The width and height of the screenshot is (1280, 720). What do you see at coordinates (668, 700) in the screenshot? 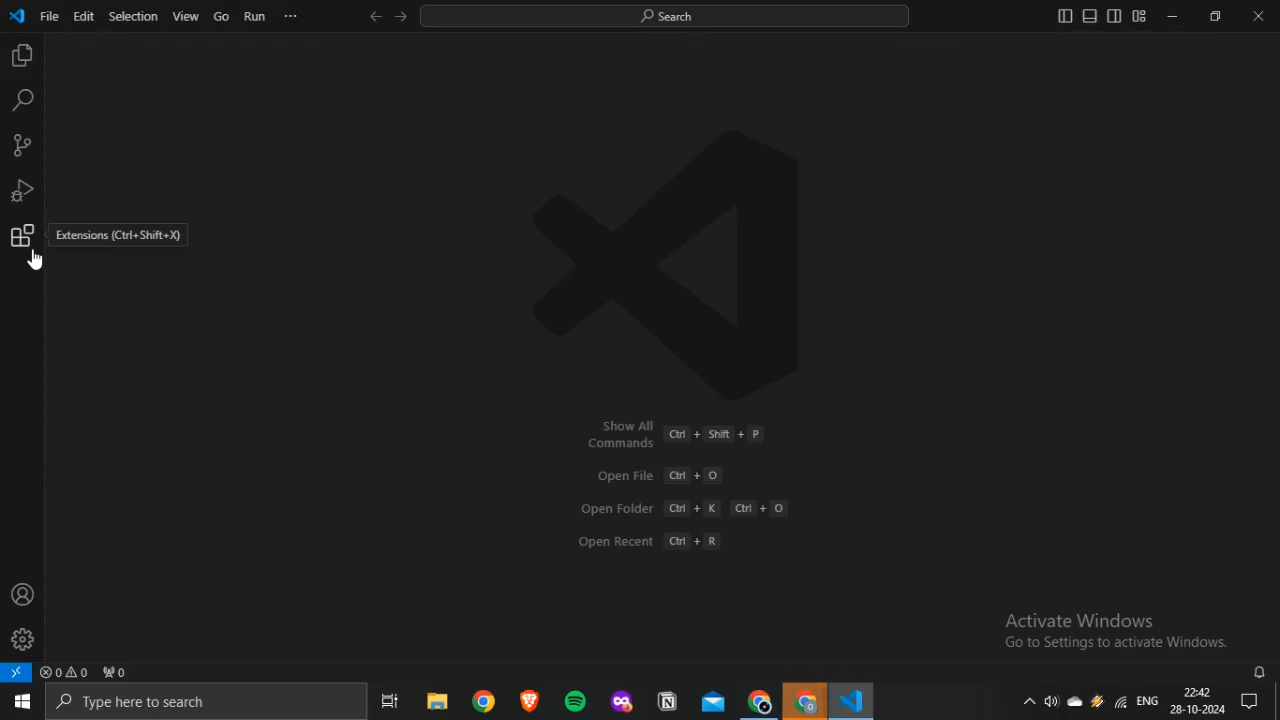
I see `notion` at bounding box center [668, 700].